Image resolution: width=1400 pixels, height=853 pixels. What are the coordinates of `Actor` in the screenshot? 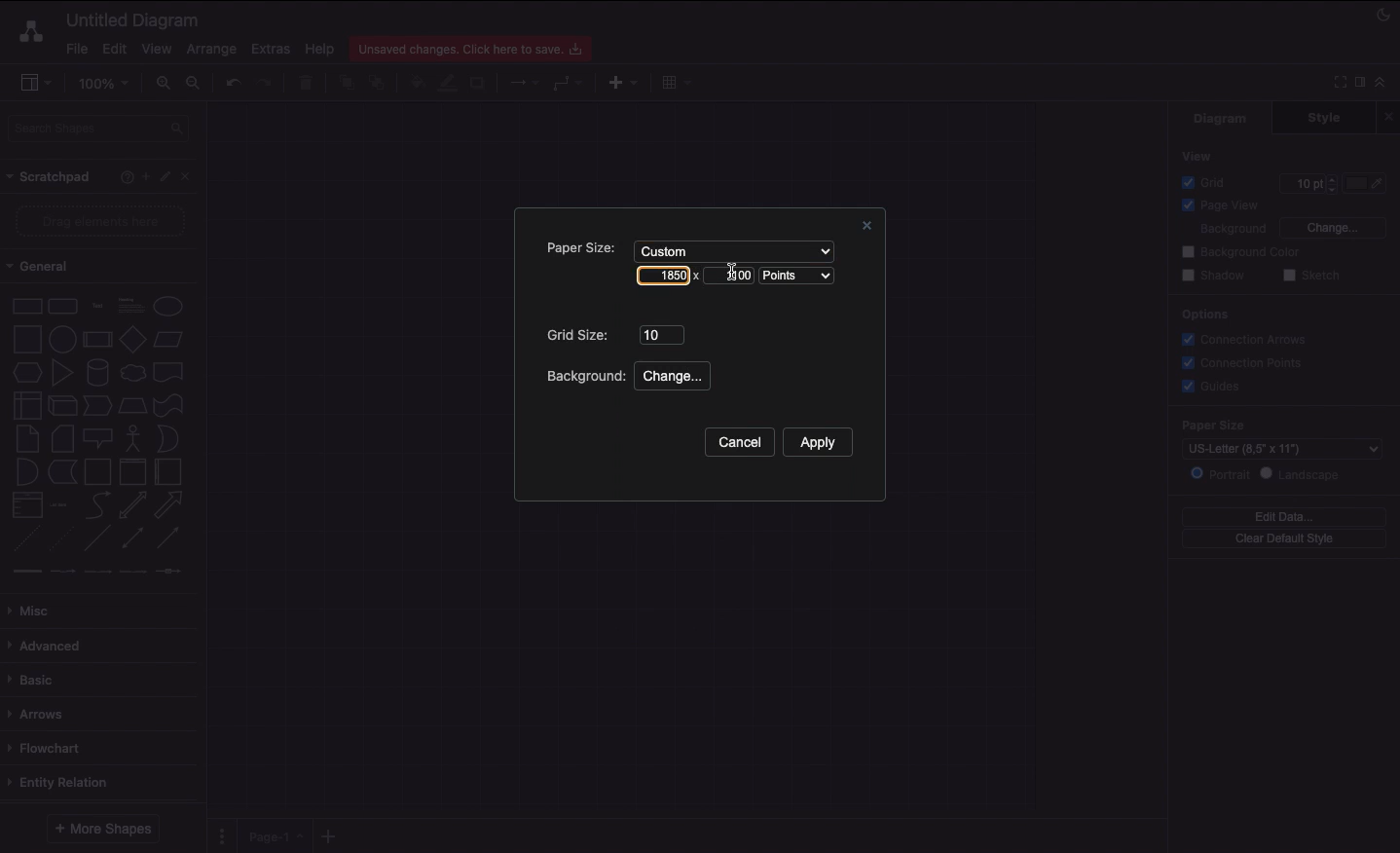 It's located at (133, 436).